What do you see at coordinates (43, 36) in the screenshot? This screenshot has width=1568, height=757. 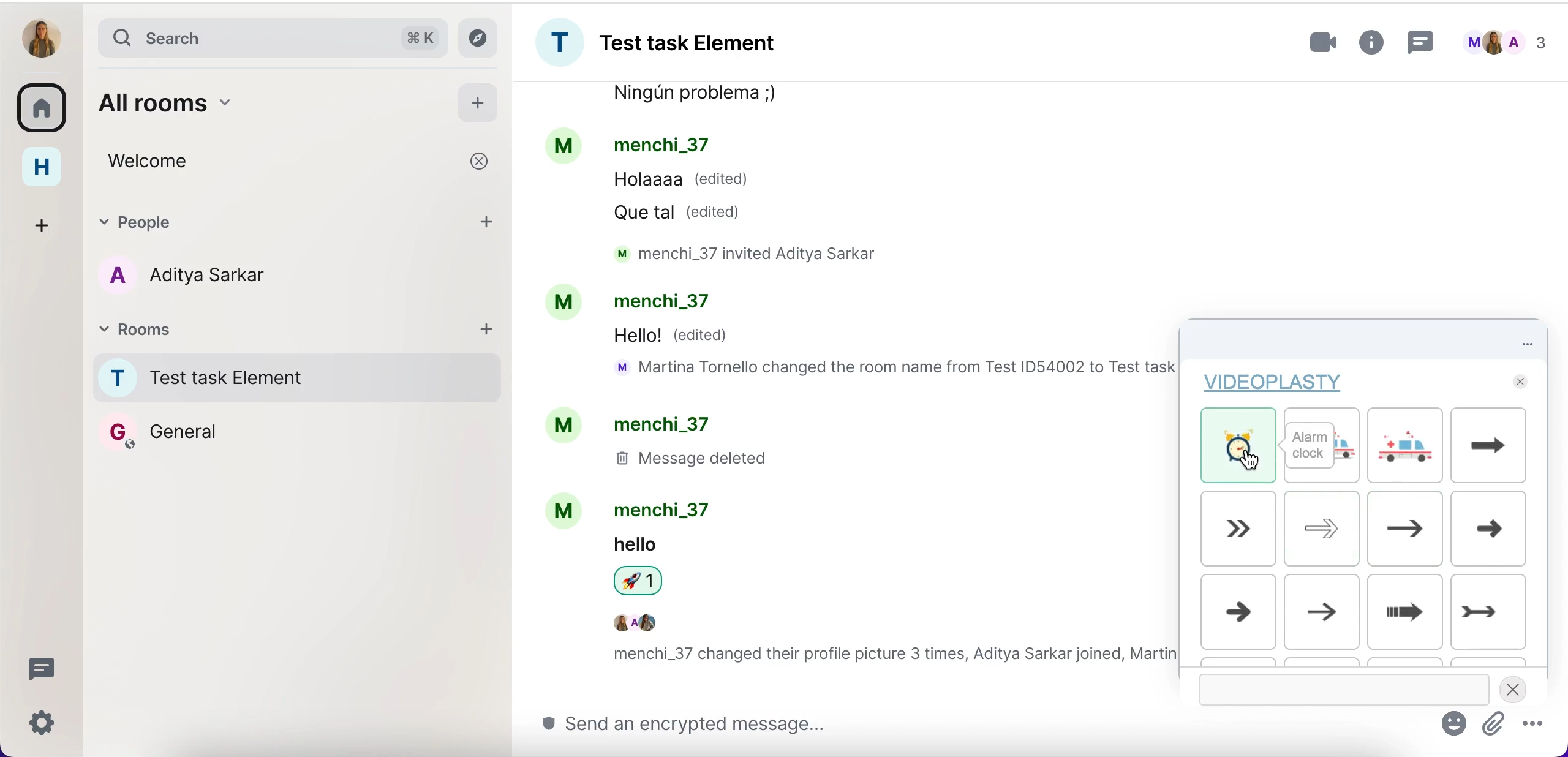 I see `user` at bounding box center [43, 36].